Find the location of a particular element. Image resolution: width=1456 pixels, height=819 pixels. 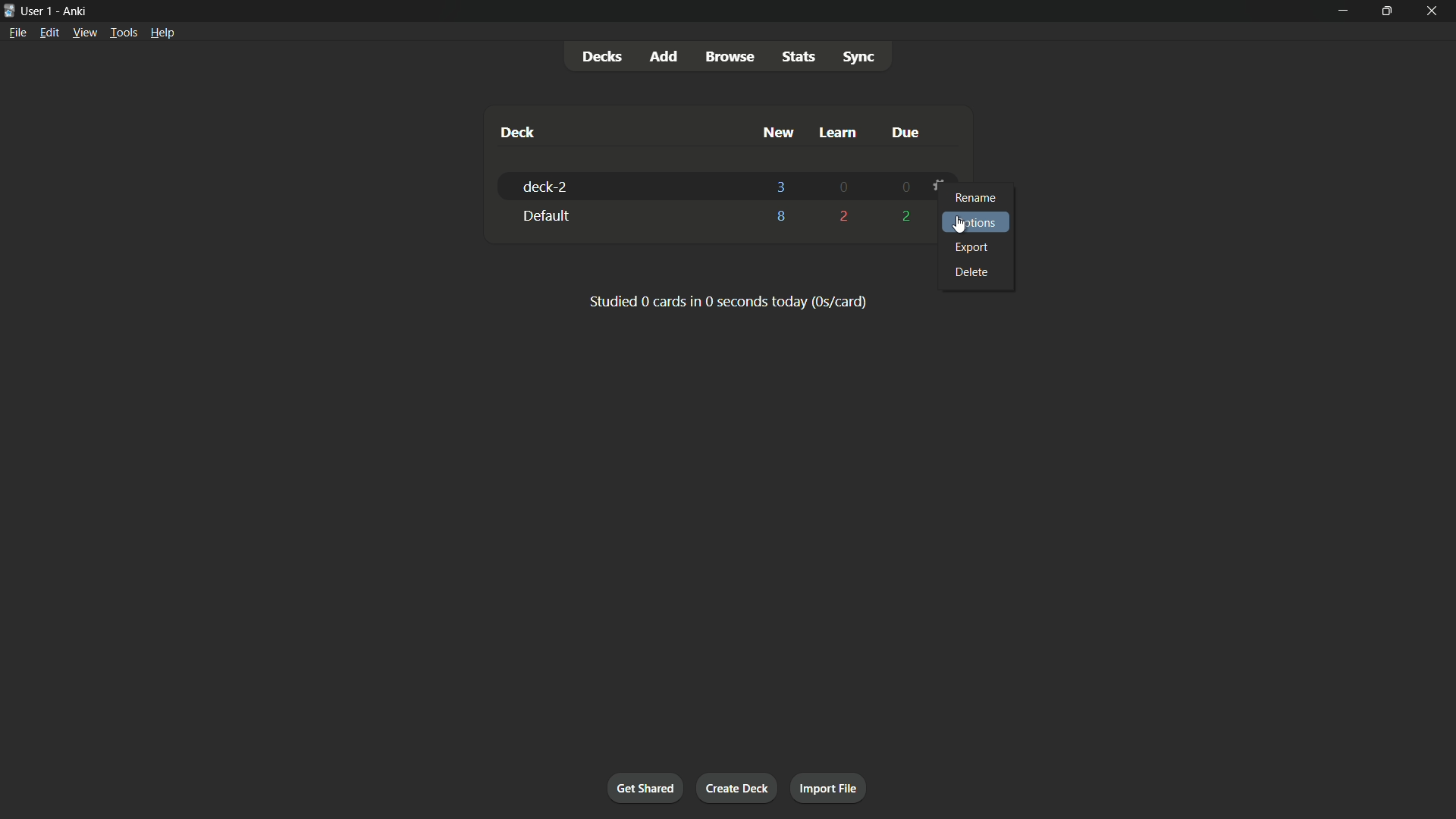

deck-2 is located at coordinates (544, 187).